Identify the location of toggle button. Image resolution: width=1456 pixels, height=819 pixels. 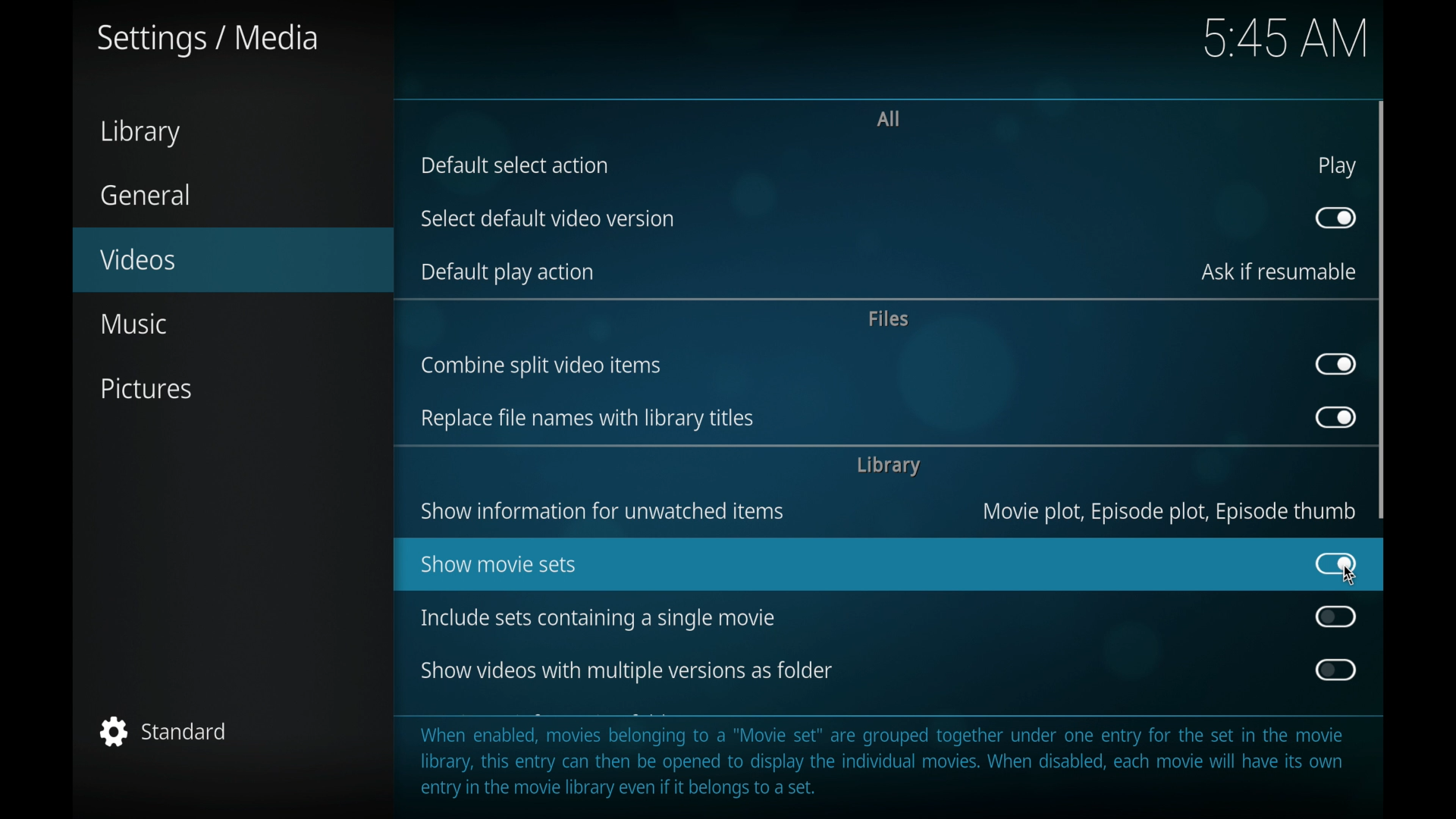
(1334, 670).